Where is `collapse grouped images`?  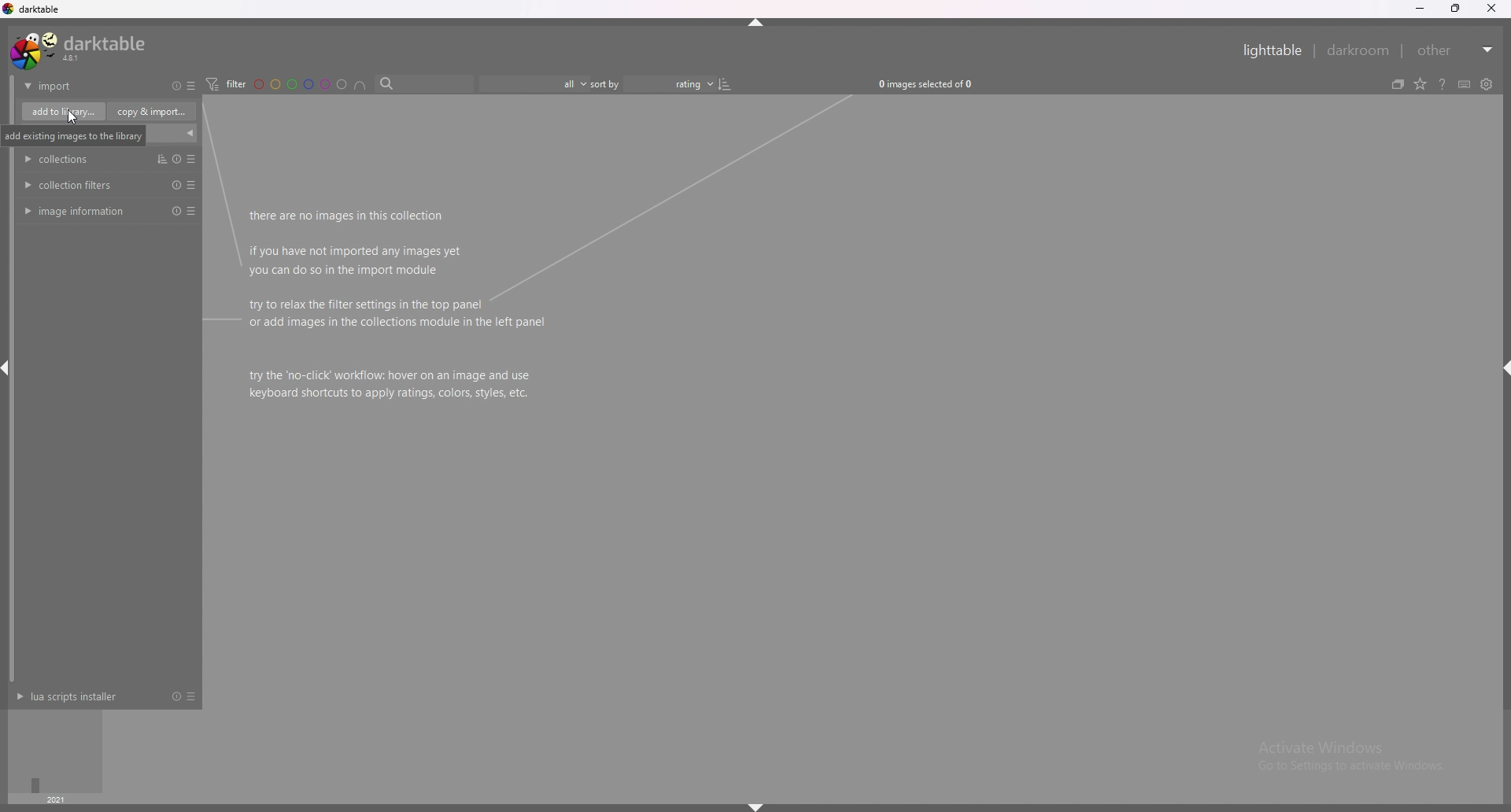
collapse grouped images is located at coordinates (1398, 84).